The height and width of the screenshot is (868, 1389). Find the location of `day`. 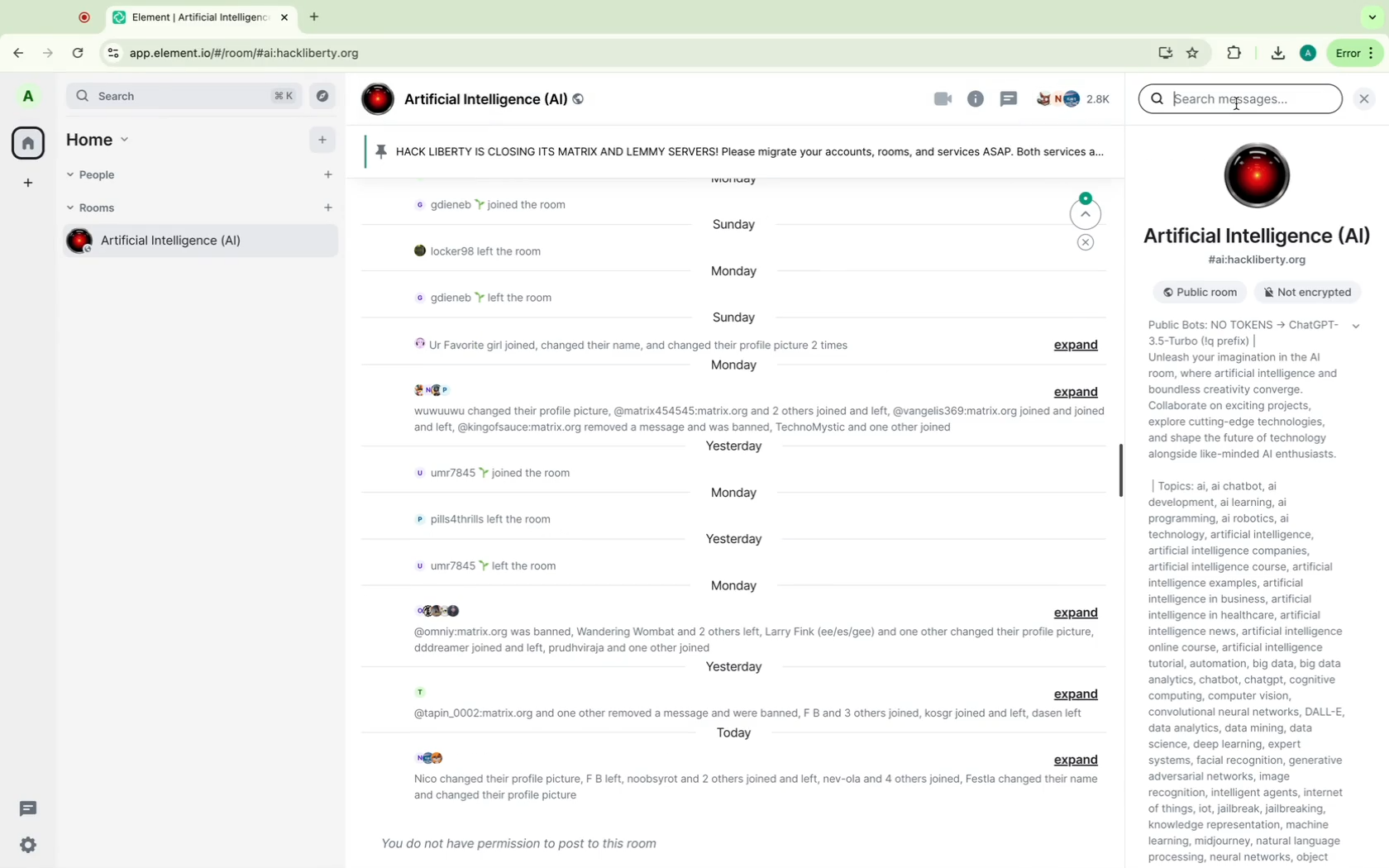

day is located at coordinates (733, 492).